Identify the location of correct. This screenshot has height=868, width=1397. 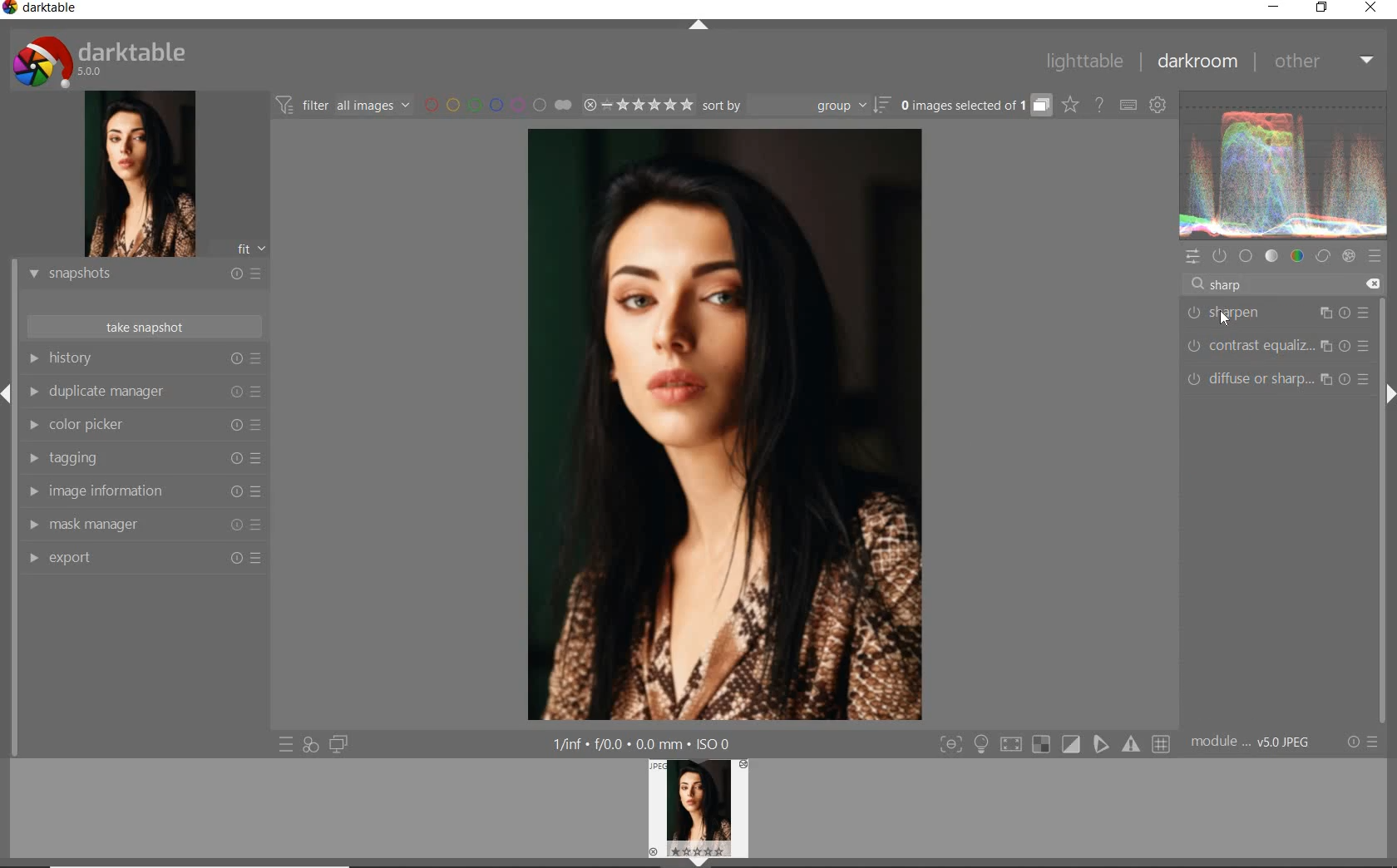
(1323, 257).